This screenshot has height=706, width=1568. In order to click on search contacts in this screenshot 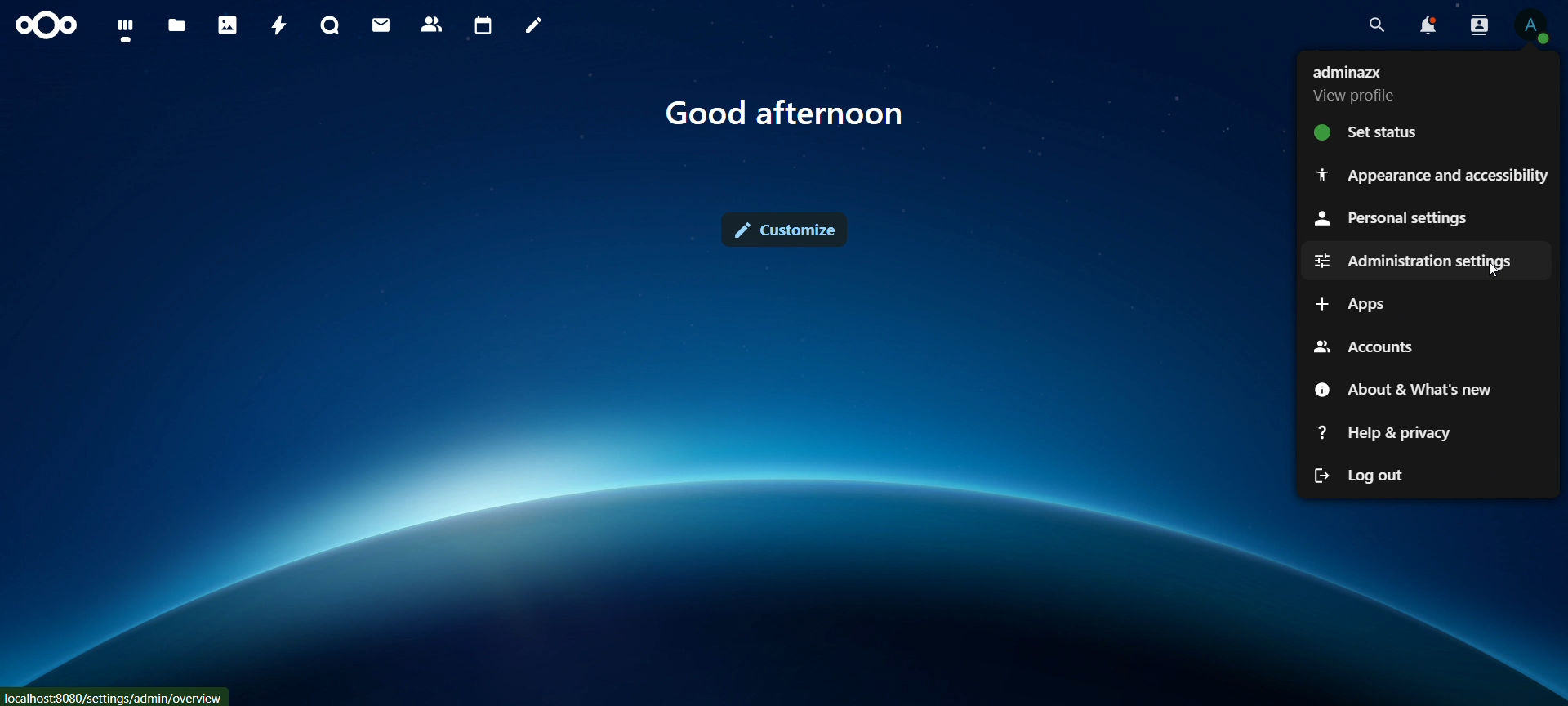, I will do `click(1480, 26)`.